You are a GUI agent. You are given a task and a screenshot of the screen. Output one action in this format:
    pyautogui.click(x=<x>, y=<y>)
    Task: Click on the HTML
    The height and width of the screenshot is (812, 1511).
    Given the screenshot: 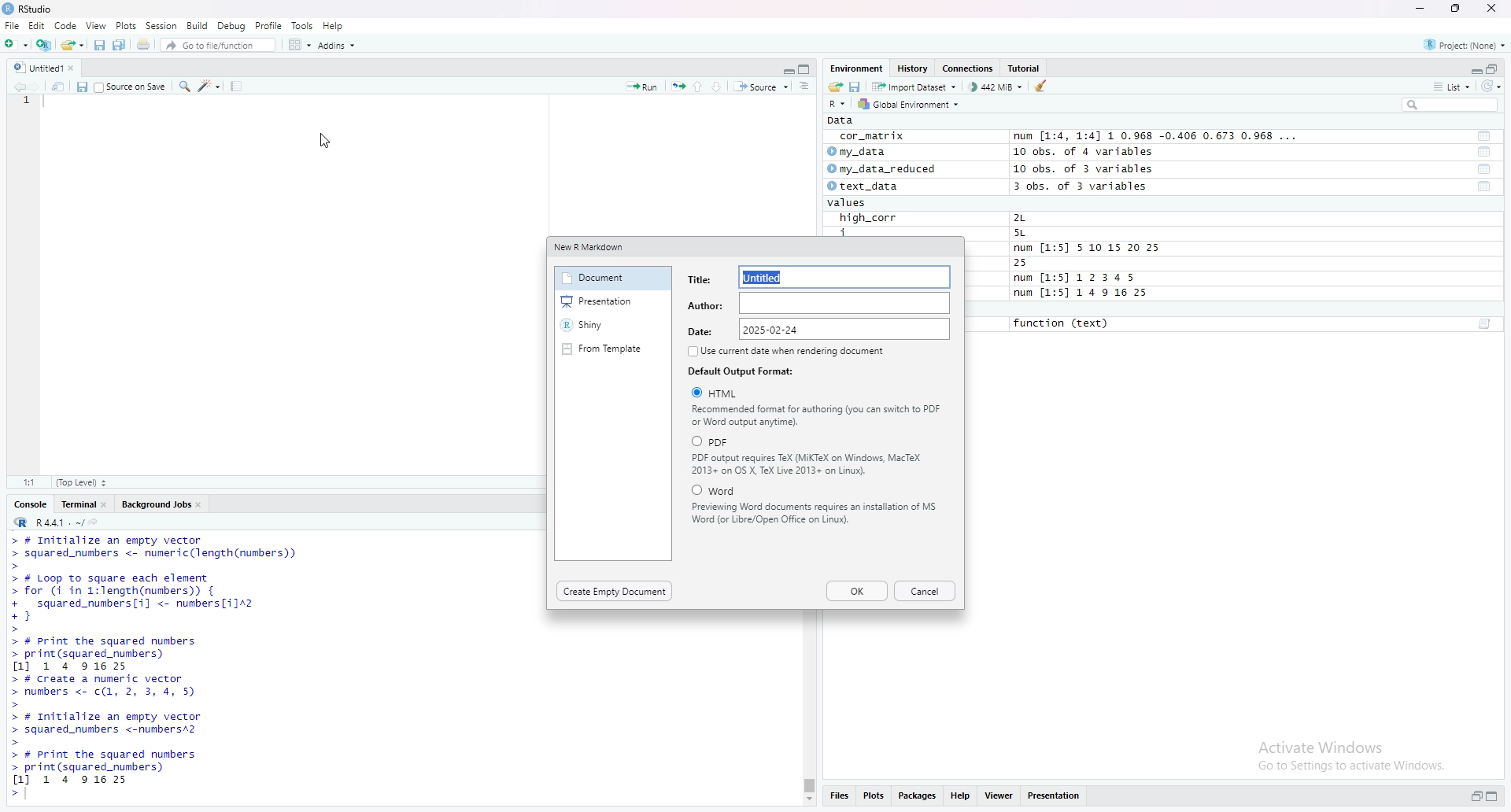 What is the action you would take?
    pyautogui.click(x=729, y=394)
    